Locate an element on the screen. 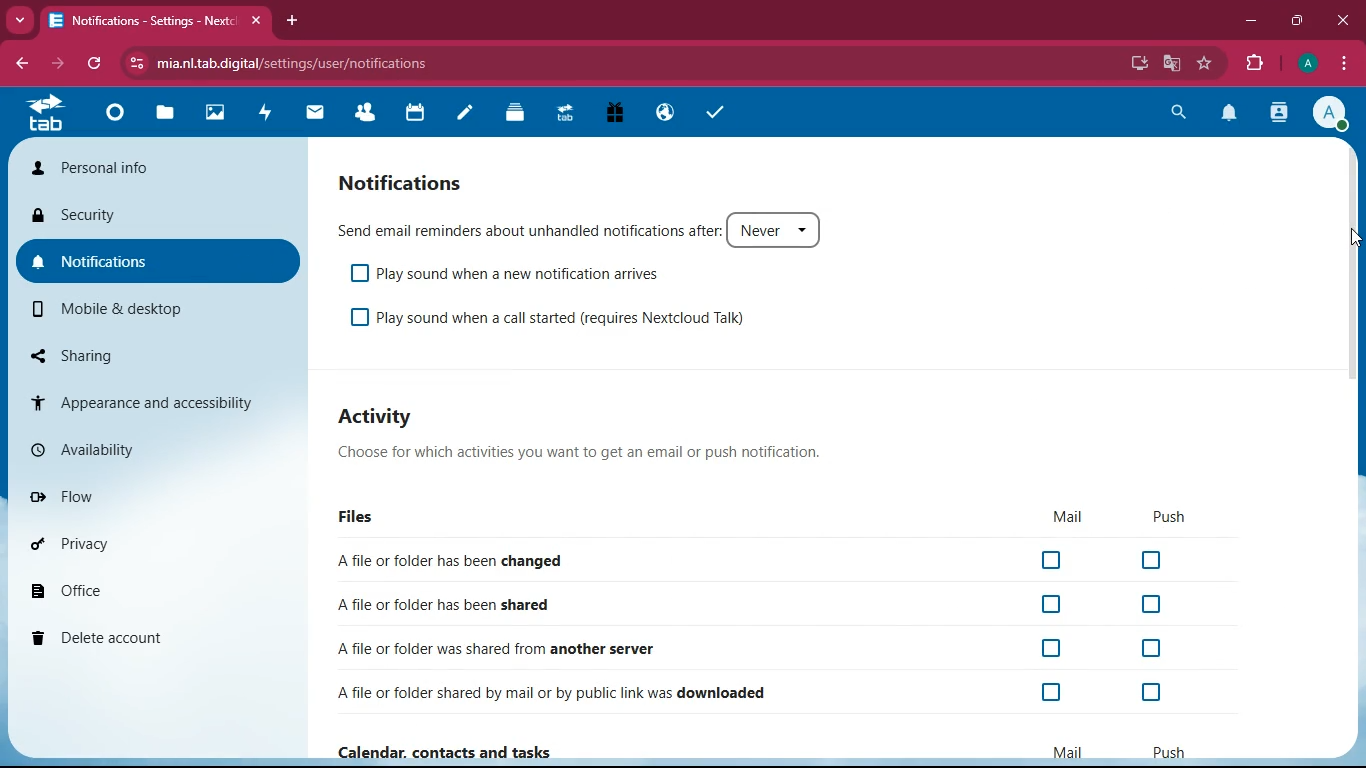 The image size is (1366, 768). Deck is located at coordinates (517, 115).